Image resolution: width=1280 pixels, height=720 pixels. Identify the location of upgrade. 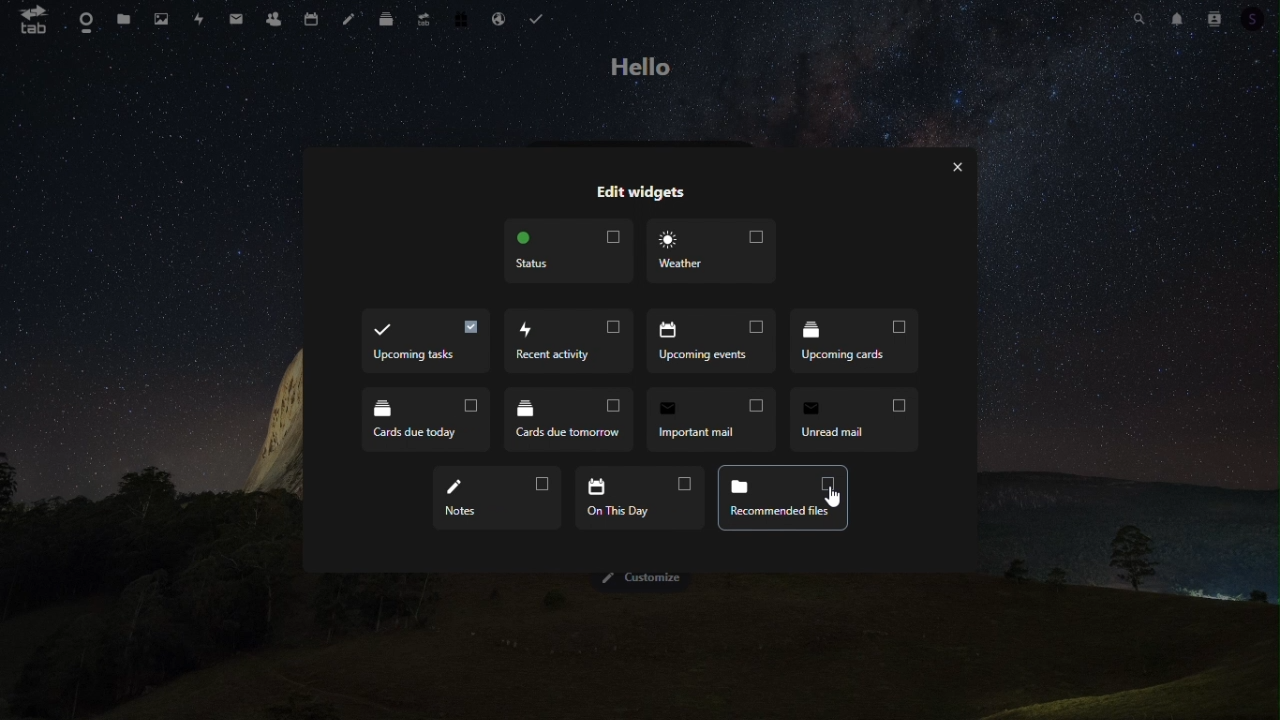
(424, 23).